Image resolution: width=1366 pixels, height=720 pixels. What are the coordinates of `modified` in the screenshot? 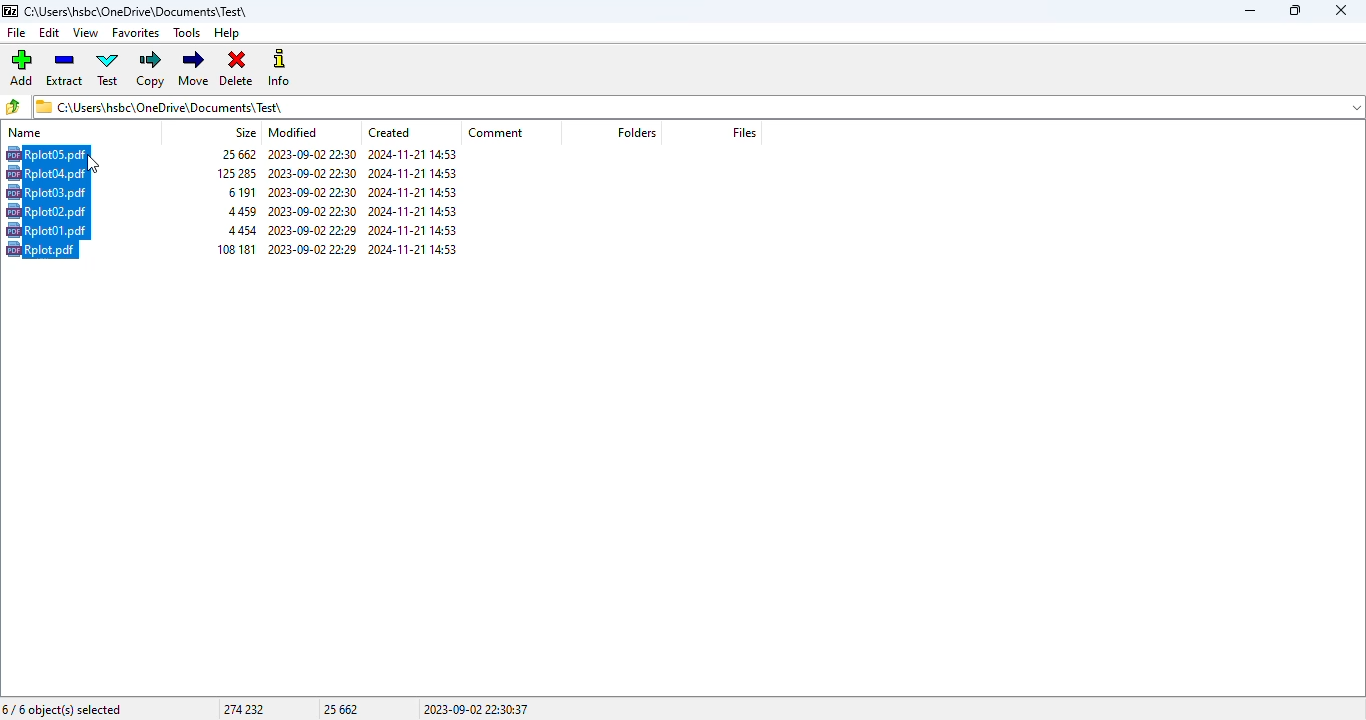 It's located at (293, 132).